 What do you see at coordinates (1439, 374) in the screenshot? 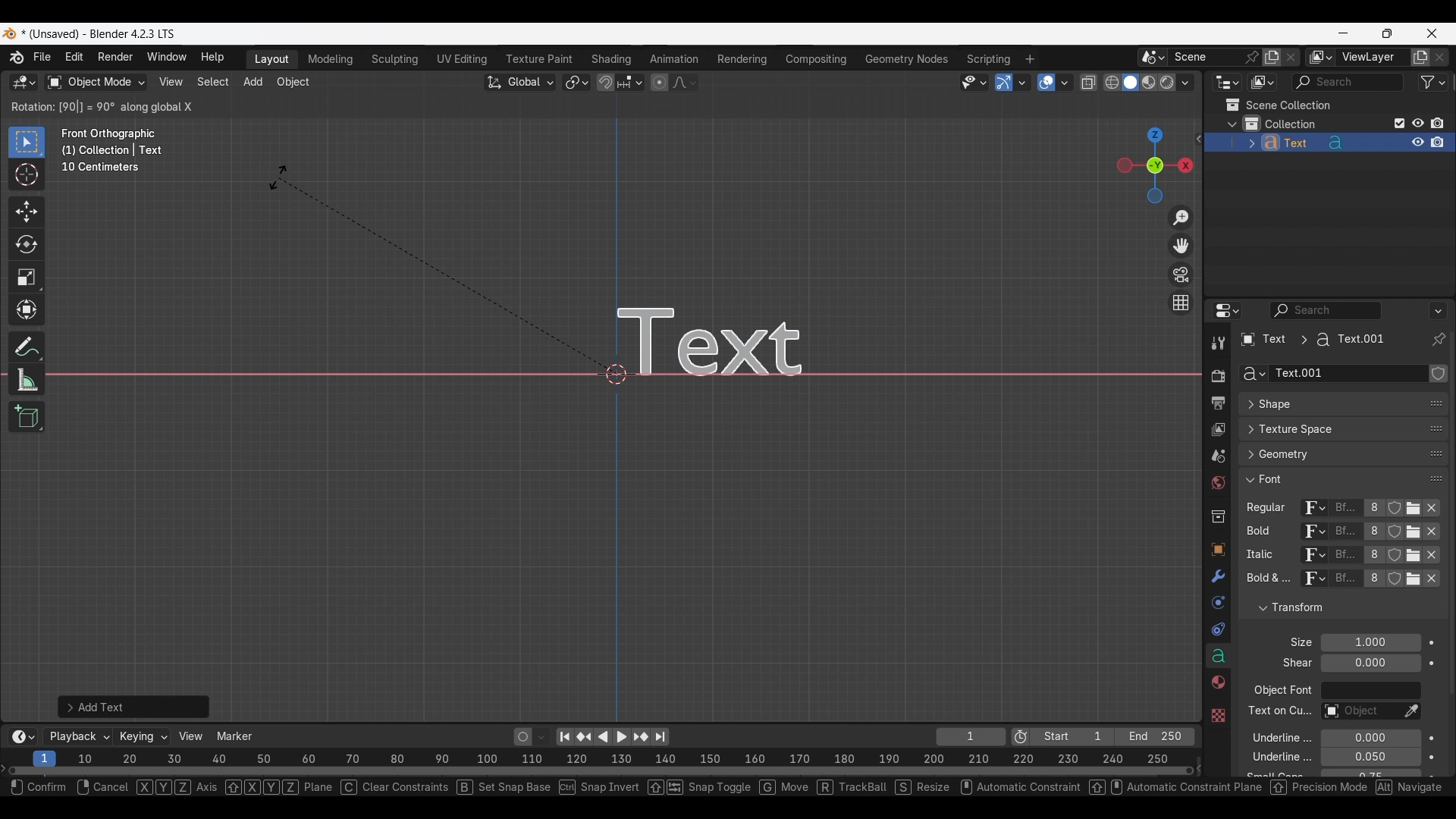
I see `Change order in the list` at bounding box center [1439, 374].